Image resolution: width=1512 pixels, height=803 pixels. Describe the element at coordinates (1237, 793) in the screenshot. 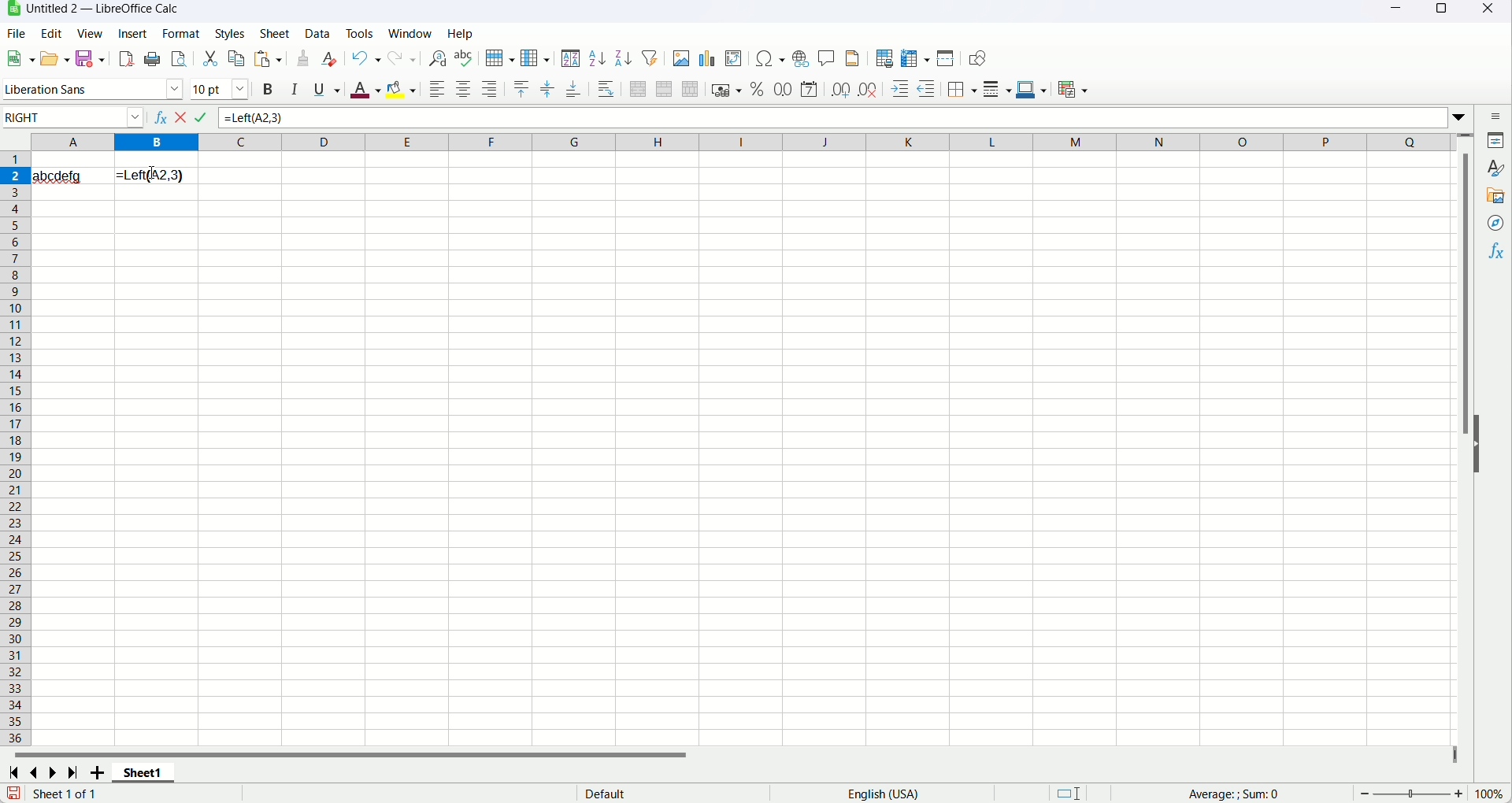

I see `average:; sum:0` at that location.